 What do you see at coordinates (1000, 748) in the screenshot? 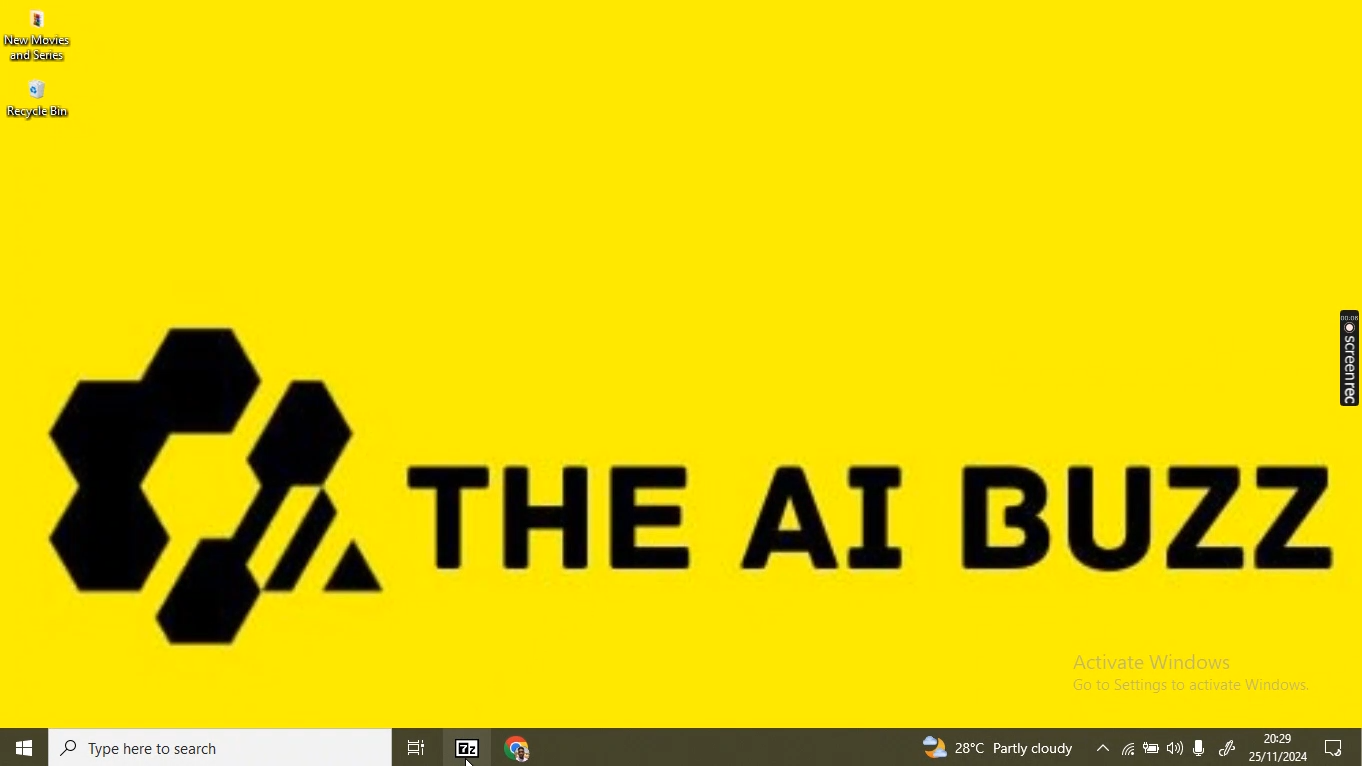
I see `28 degree partly cloudly` at bounding box center [1000, 748].